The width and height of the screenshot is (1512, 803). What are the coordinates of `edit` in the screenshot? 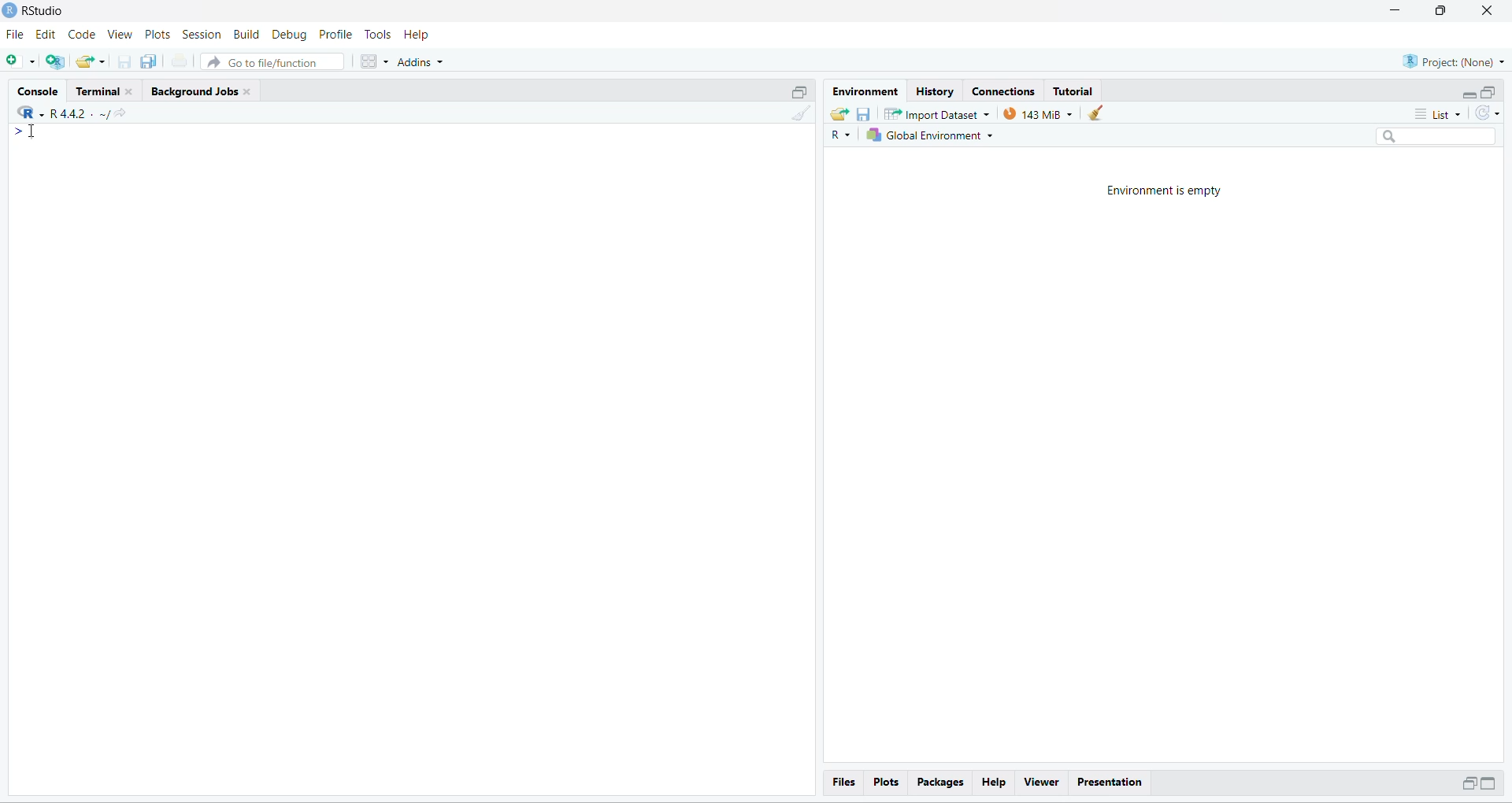 It's located at (46, 35).